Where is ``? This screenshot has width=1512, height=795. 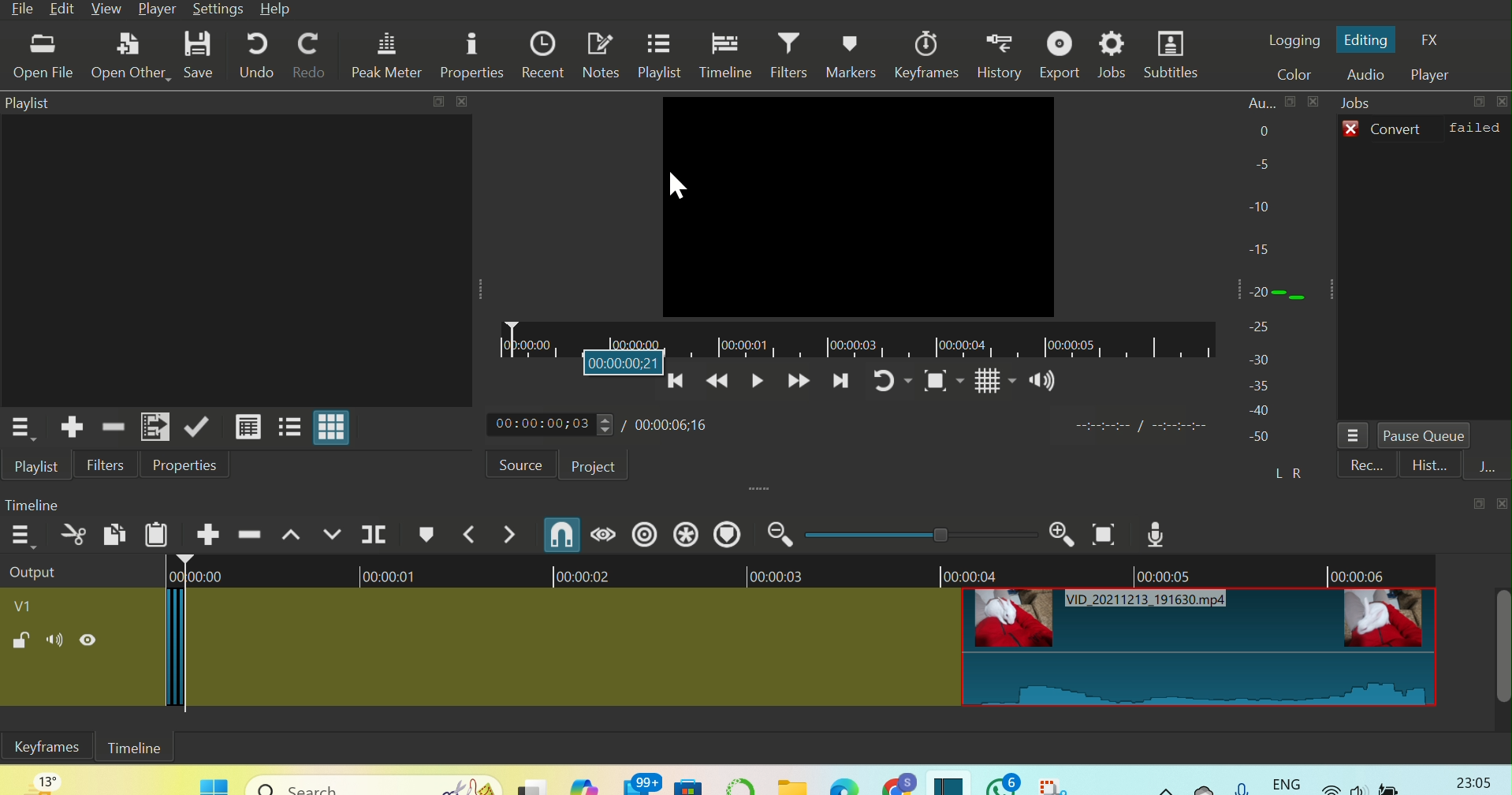
 is located at coordinates (374, 780).